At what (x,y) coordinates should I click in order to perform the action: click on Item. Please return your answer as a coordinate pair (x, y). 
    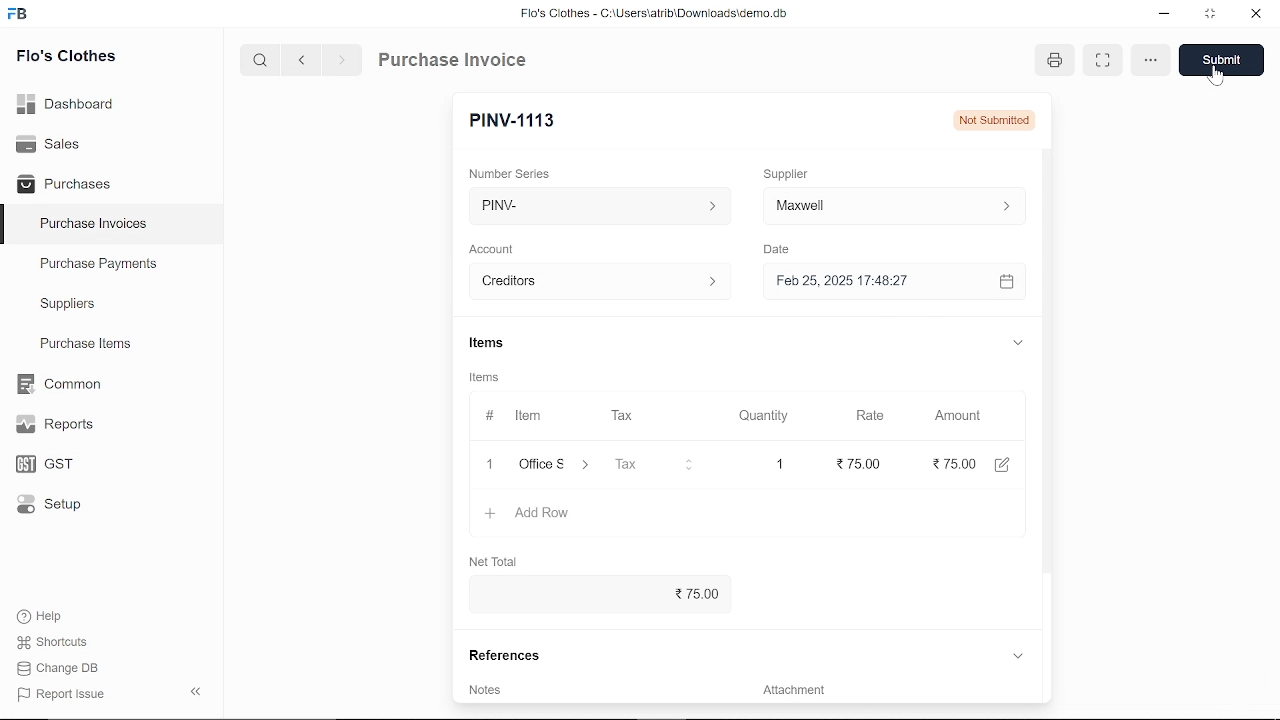
    Looking at the image, I should click on (514, 416).